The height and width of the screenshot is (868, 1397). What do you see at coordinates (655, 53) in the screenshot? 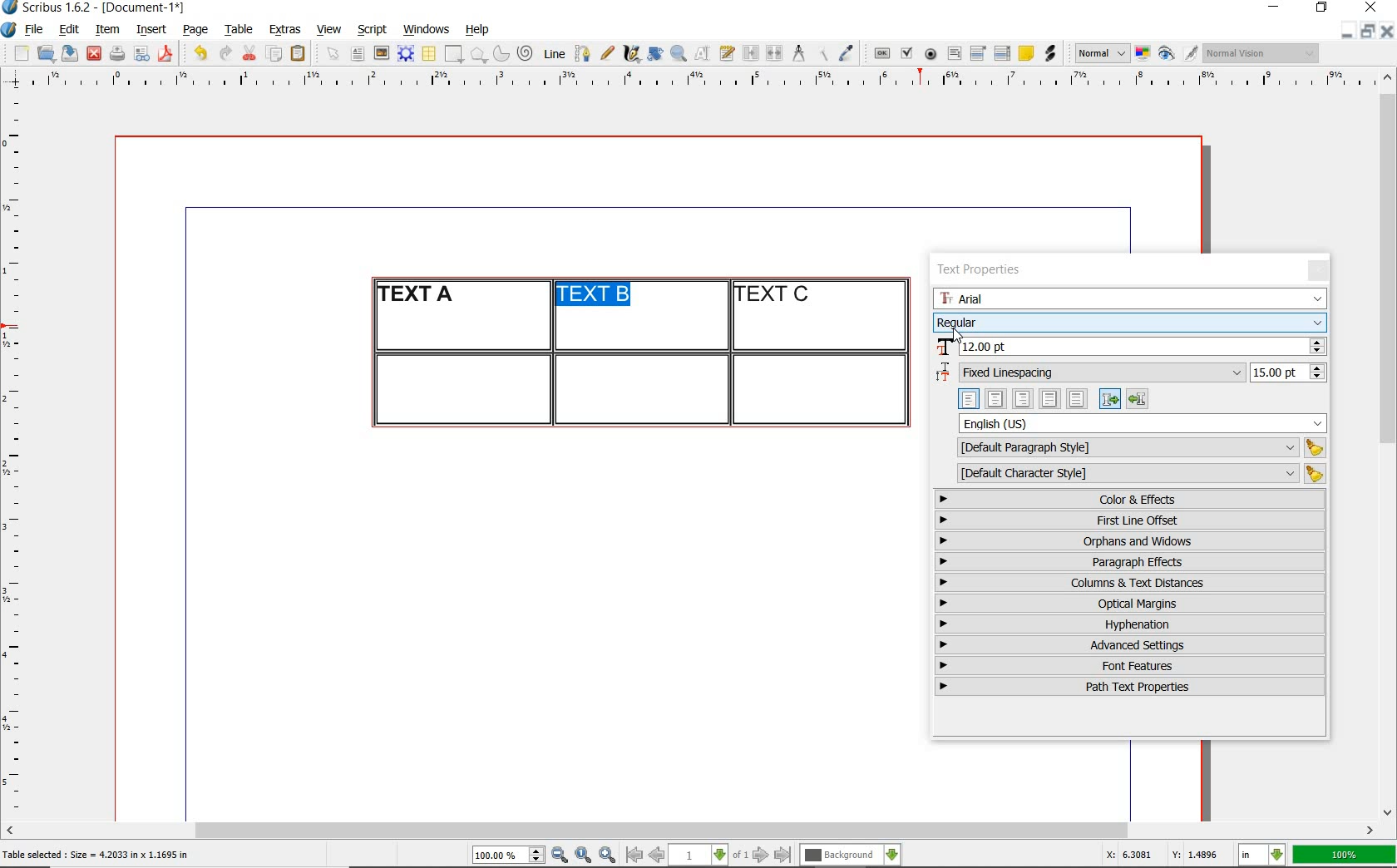
I see `rotate item` at bounding box center [655, 53].